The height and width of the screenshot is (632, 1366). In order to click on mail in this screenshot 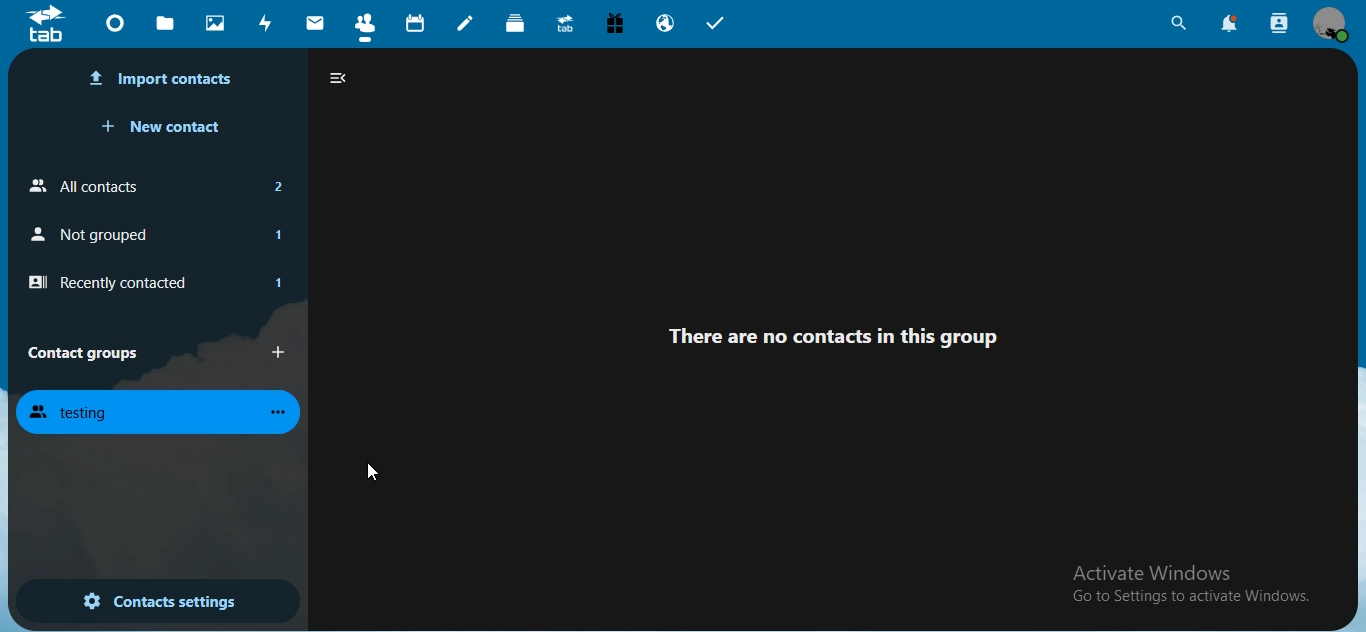, I will do `click(317, 23)`.